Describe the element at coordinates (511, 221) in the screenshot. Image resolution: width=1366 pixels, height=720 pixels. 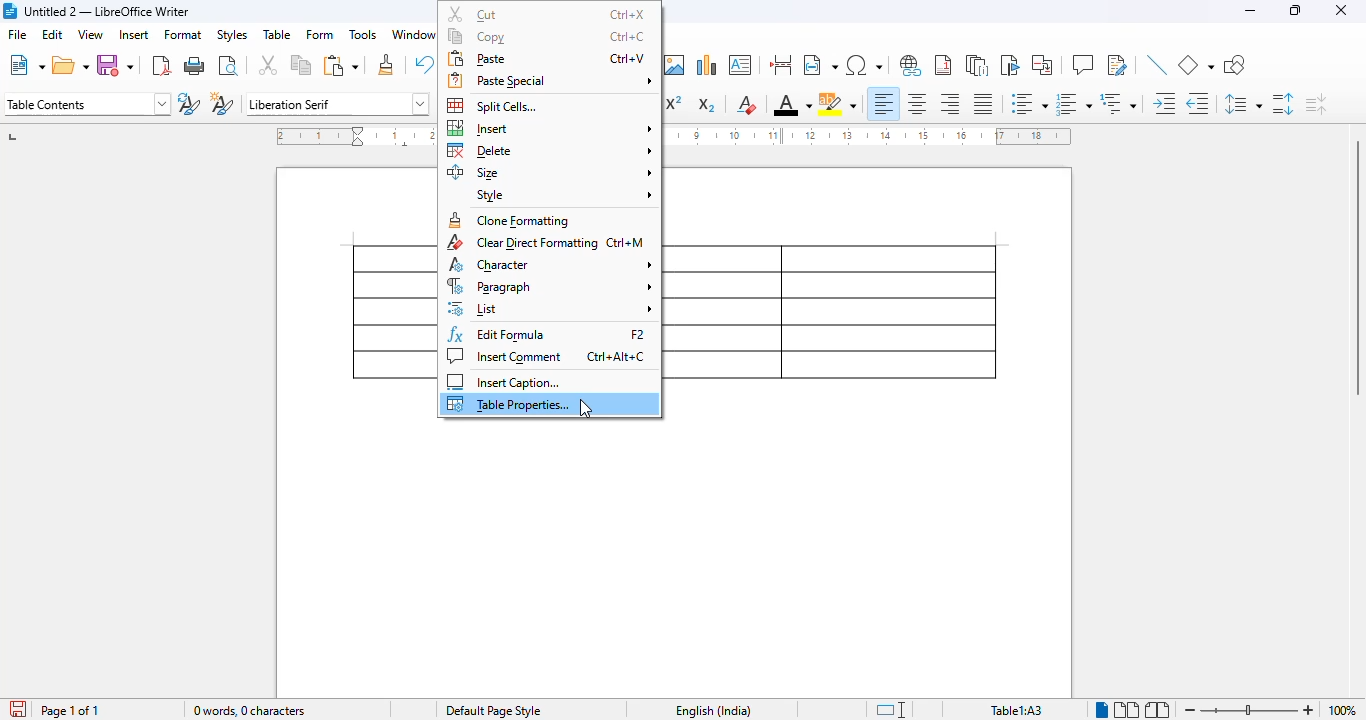
I see `clone formatting` at that location.